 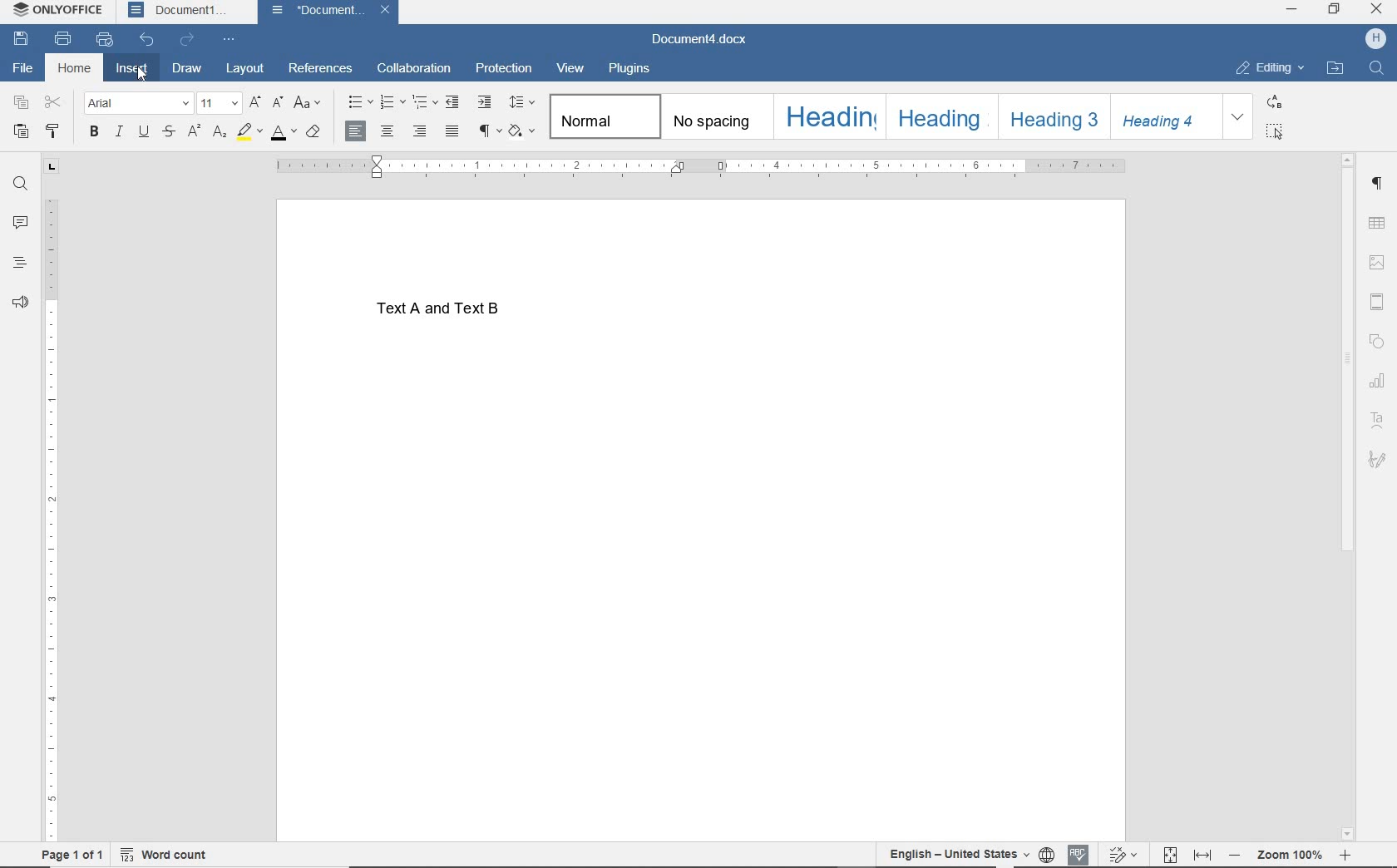 I want to click on NORMAL, so click(x=603, y=116).